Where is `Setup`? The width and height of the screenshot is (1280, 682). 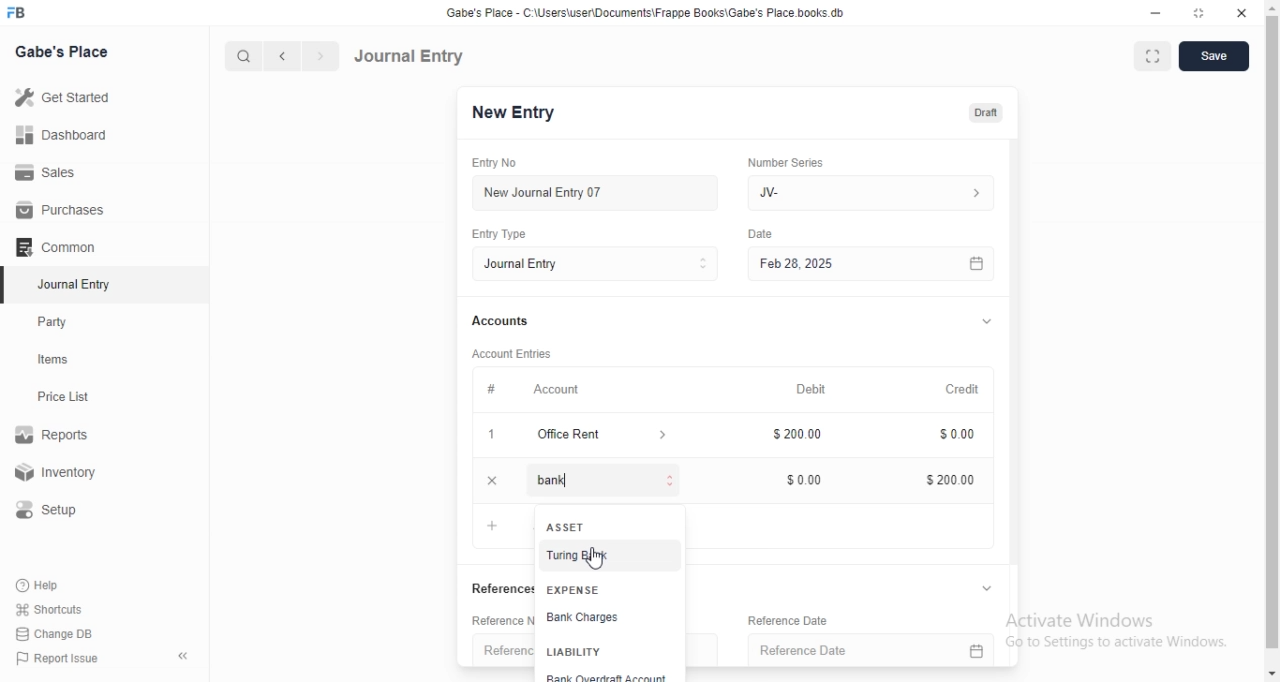
Setup is located at coordinates (54, 510).